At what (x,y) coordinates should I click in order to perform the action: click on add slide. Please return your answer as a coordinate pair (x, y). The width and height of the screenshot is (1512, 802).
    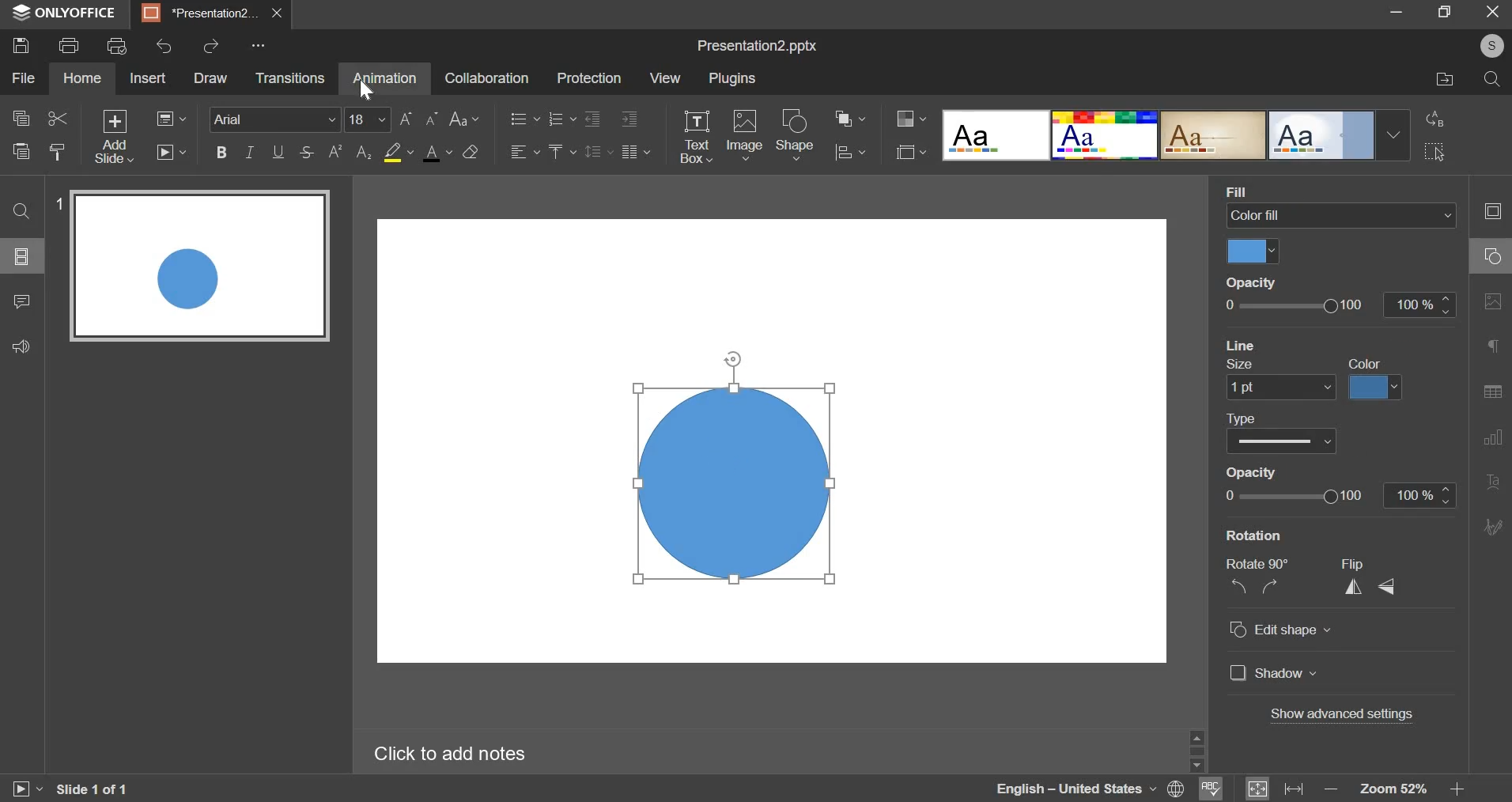
    Looking at the image, I should click on (114, 137).